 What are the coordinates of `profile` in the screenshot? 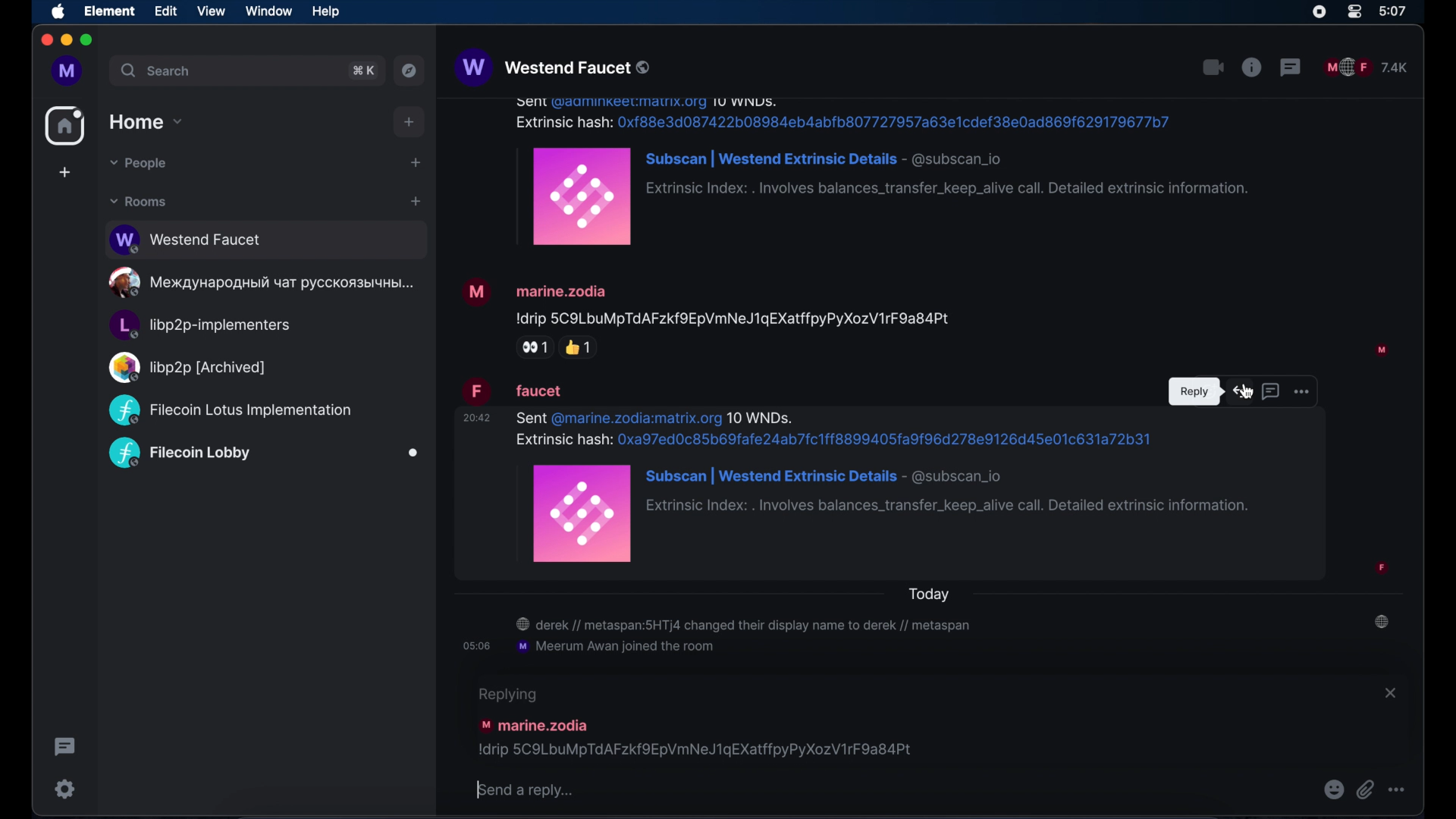 It's located at (66, 71).